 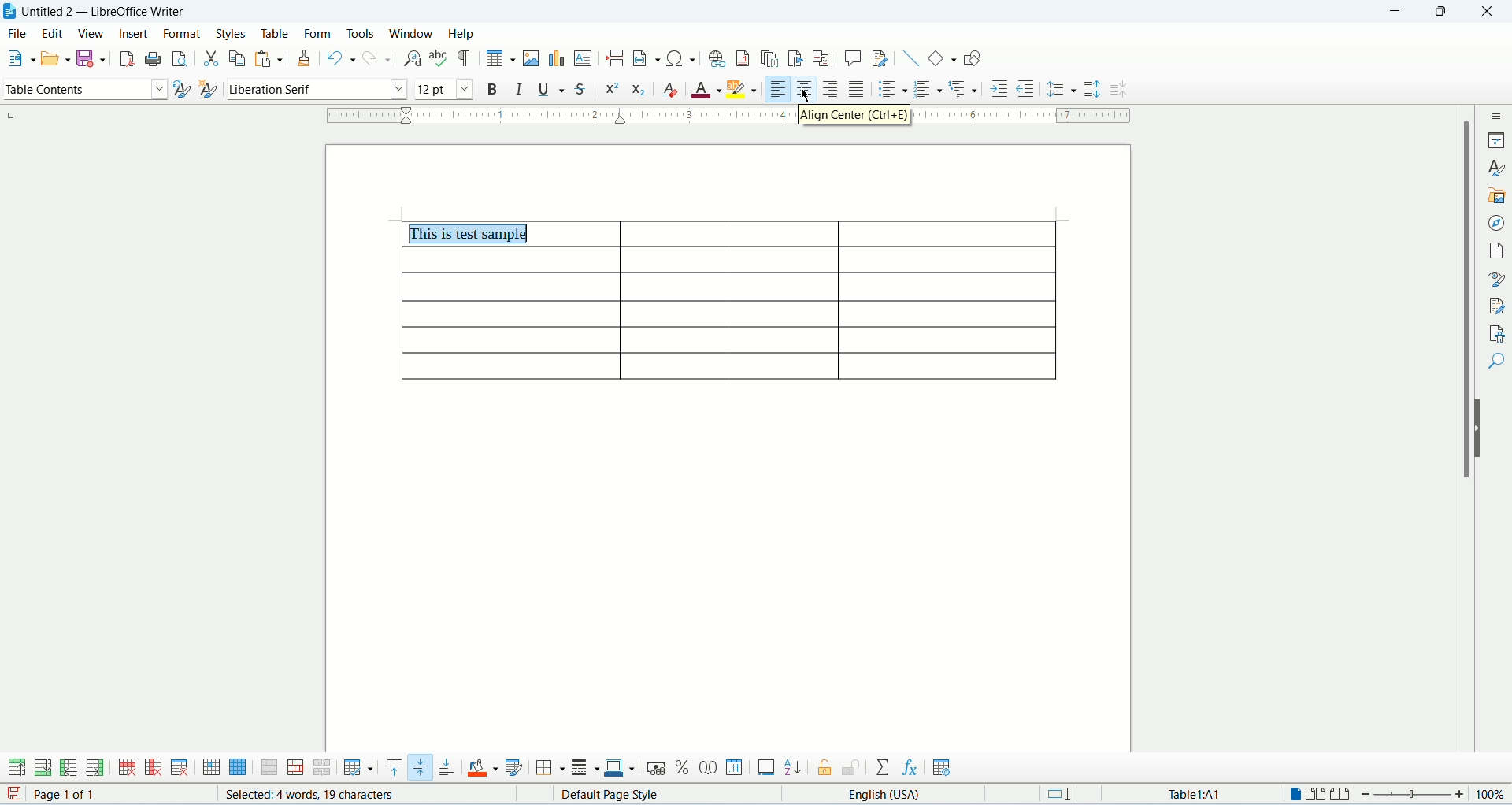 I want to click on new, so click(x=19, y=57).